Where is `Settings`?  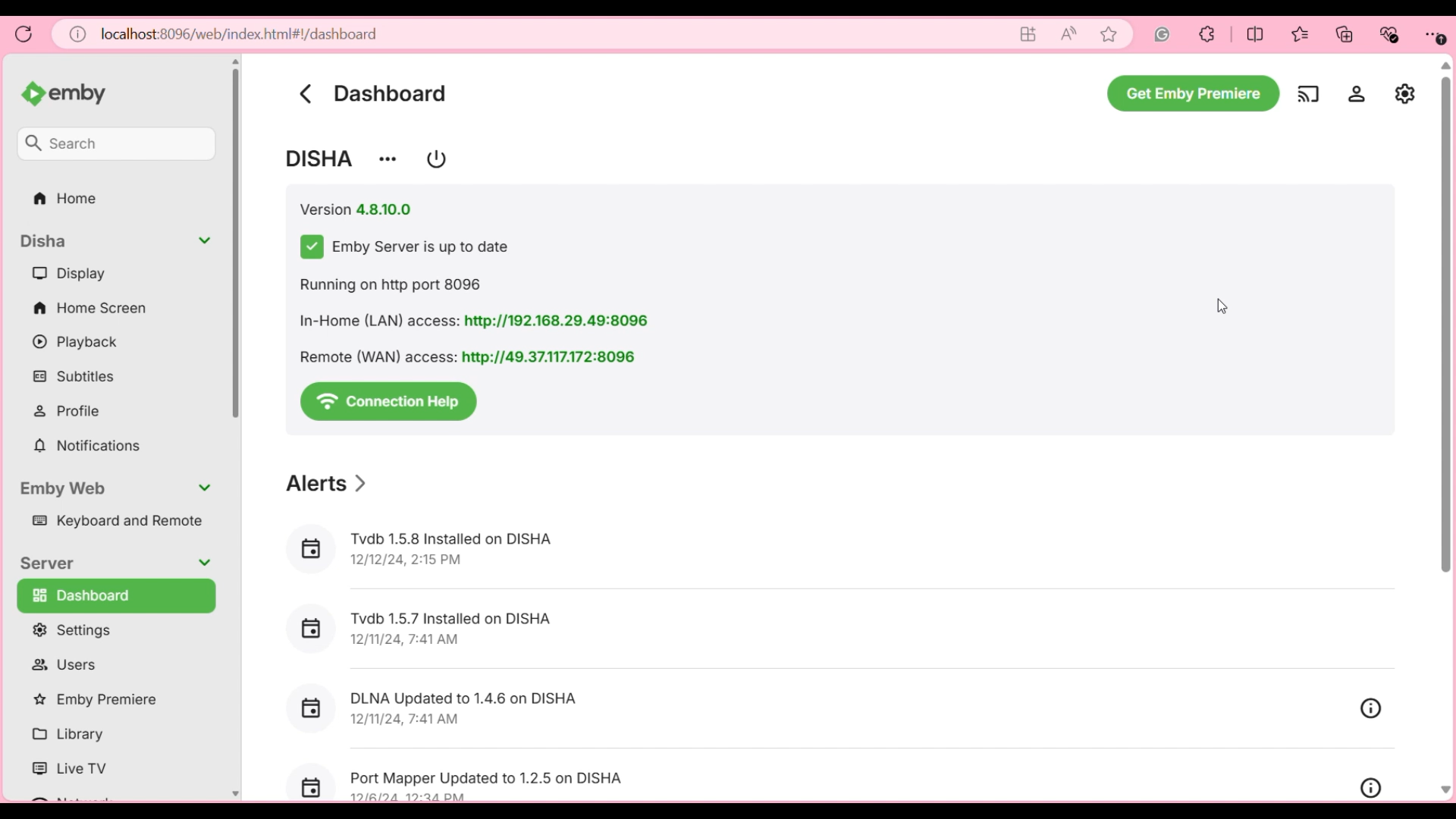 Settings is located at coordinates (1357, 93).